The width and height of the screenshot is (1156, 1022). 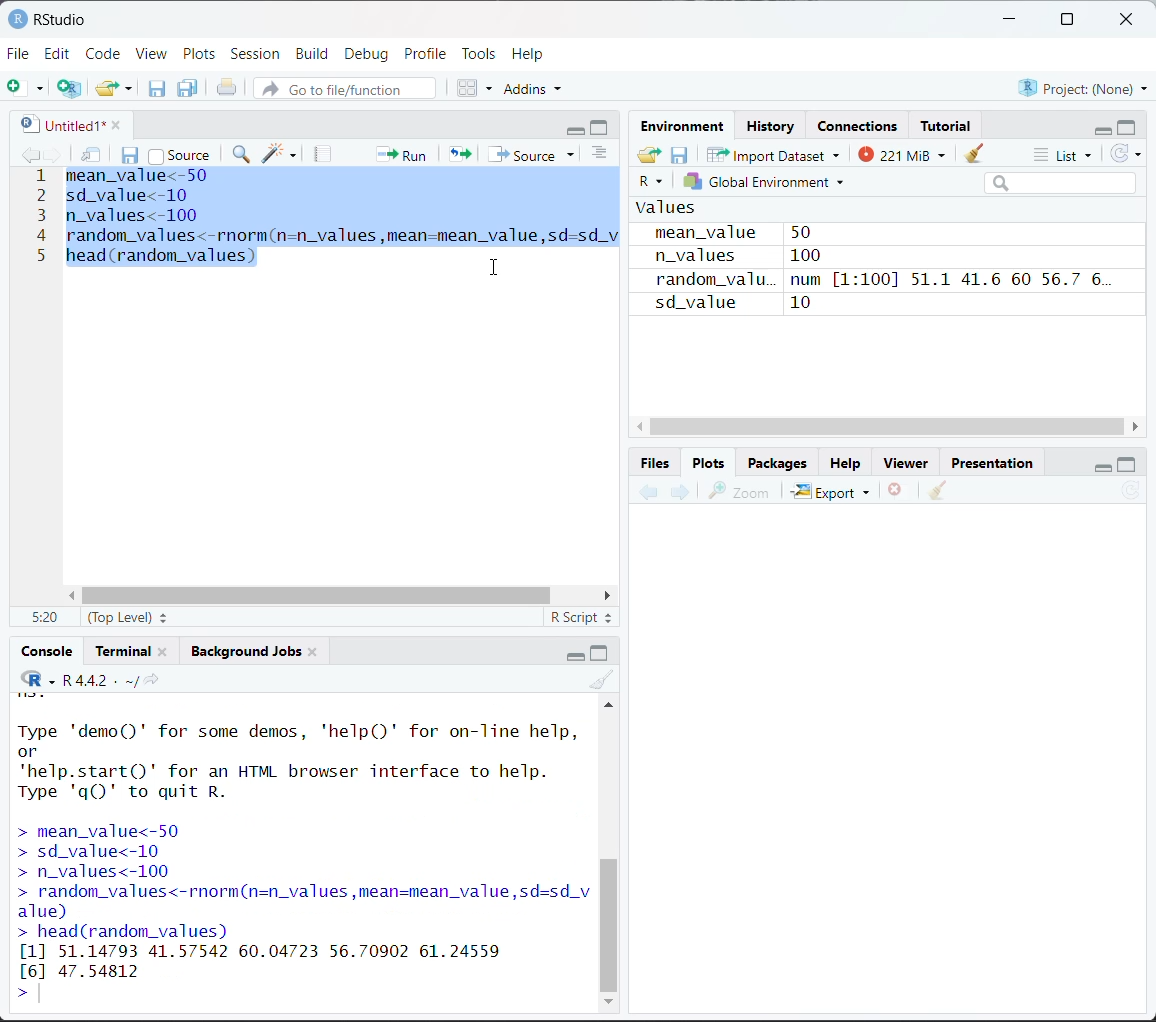 I want to click on Help, so click(x=845, y=465).